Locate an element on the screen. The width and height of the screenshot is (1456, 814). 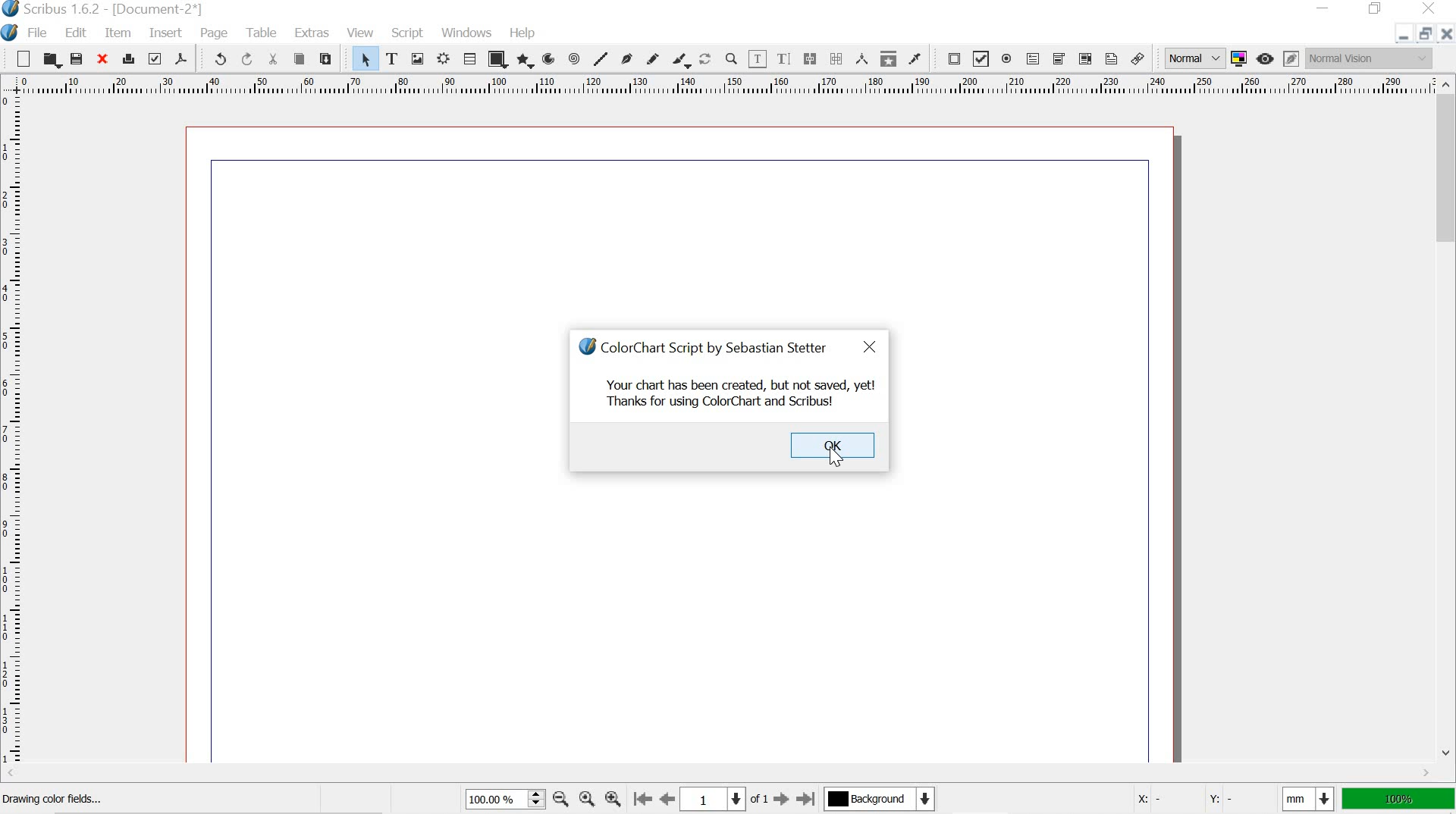
X: - Y: - is located at coordinates (1197, 800).